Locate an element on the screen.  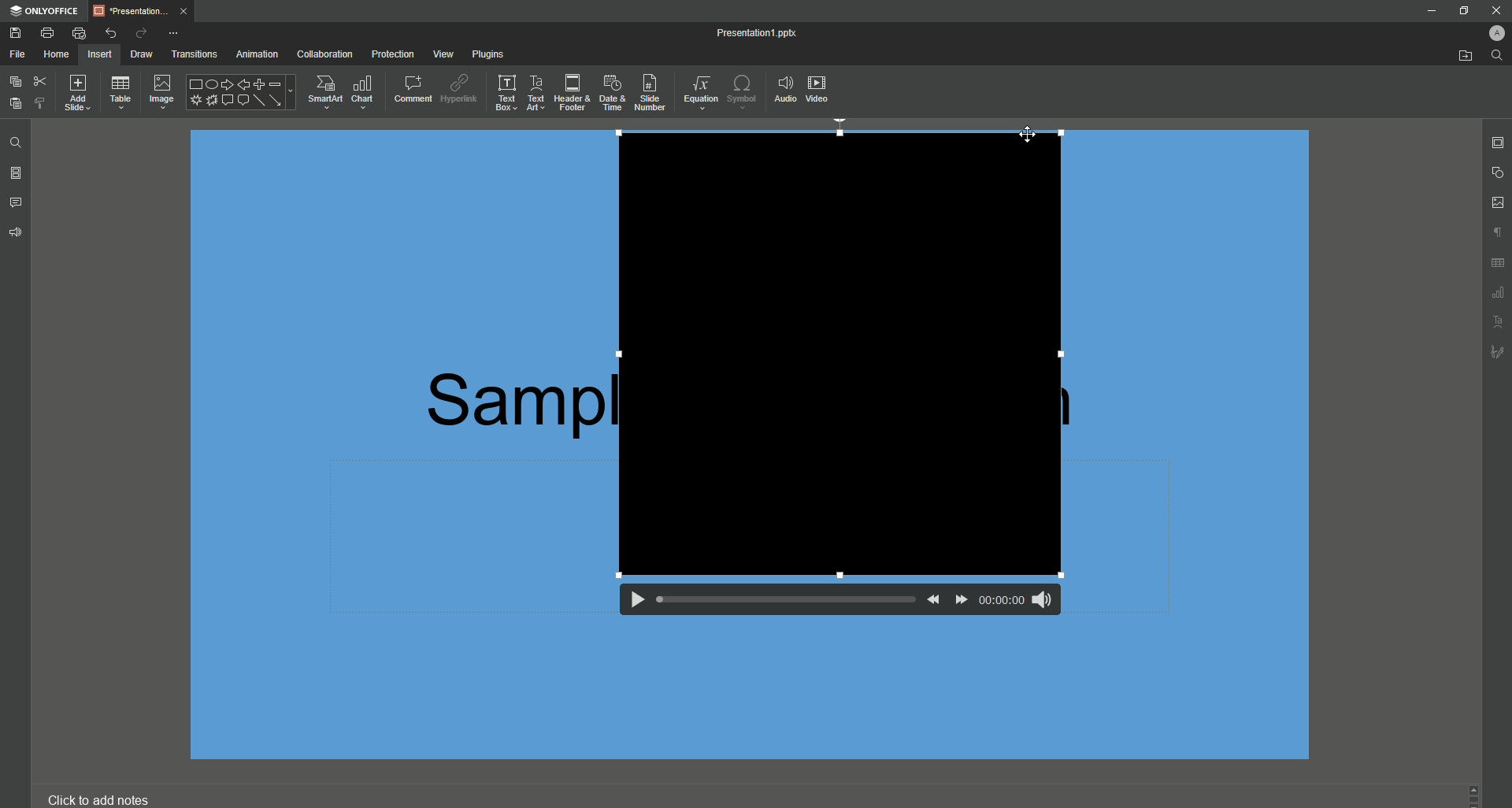
Video Controls is located at coordinates (831, 606).